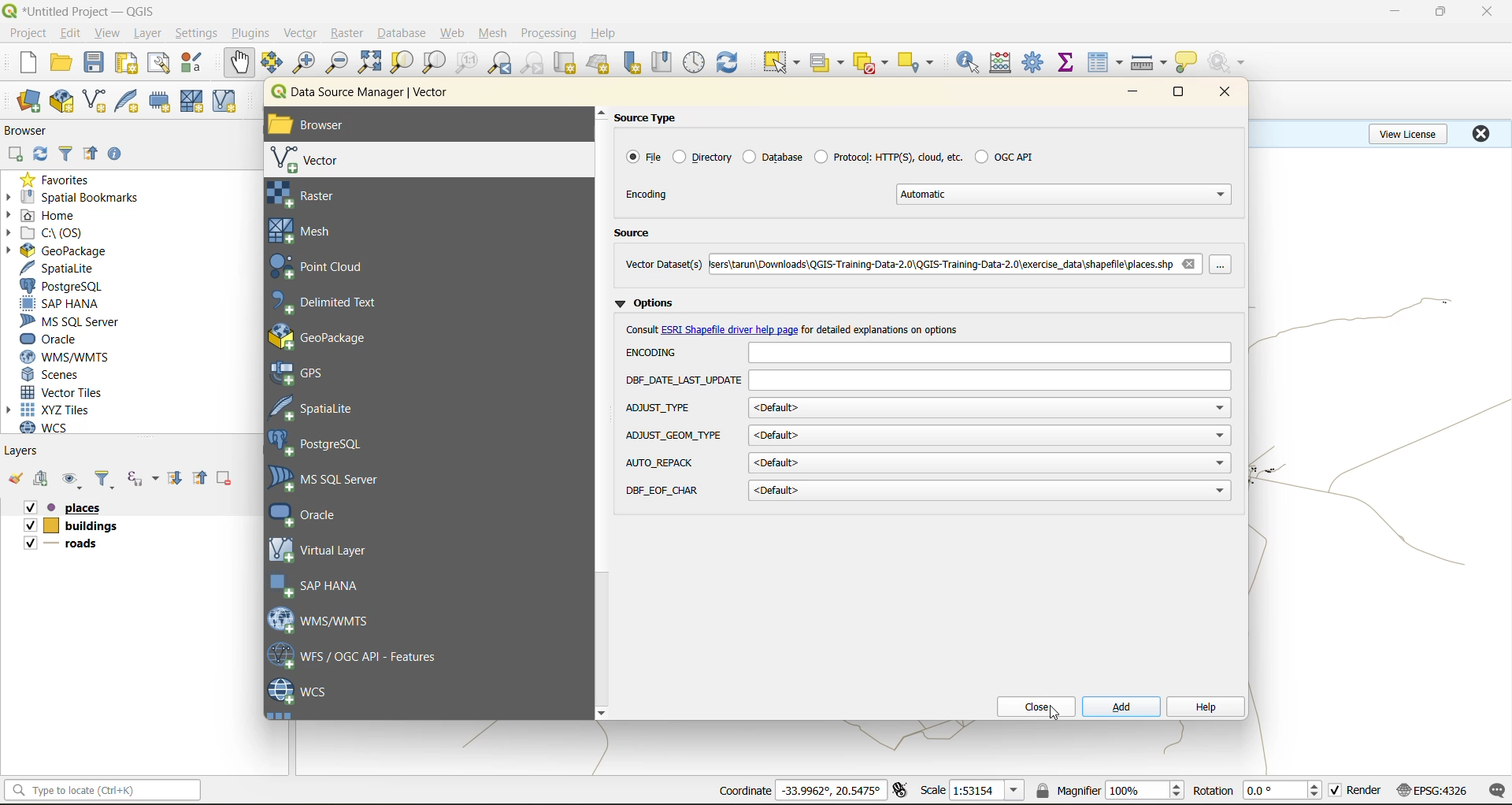  Describe the element at coordinates (649, 194) in the screenshot. I see `encoding` at that location.